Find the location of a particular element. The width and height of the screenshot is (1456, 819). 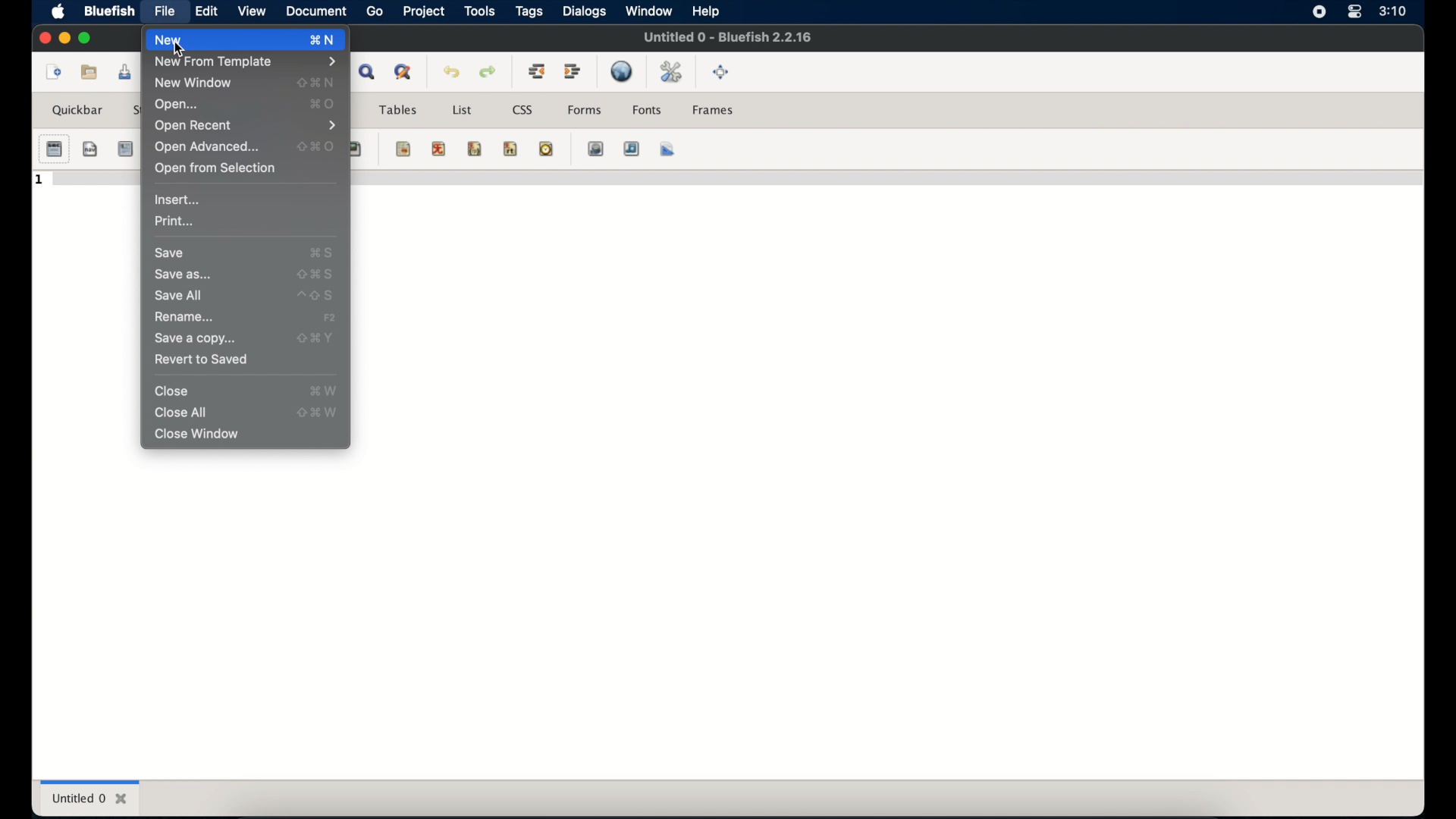

window is located at coordinates (648, 11).